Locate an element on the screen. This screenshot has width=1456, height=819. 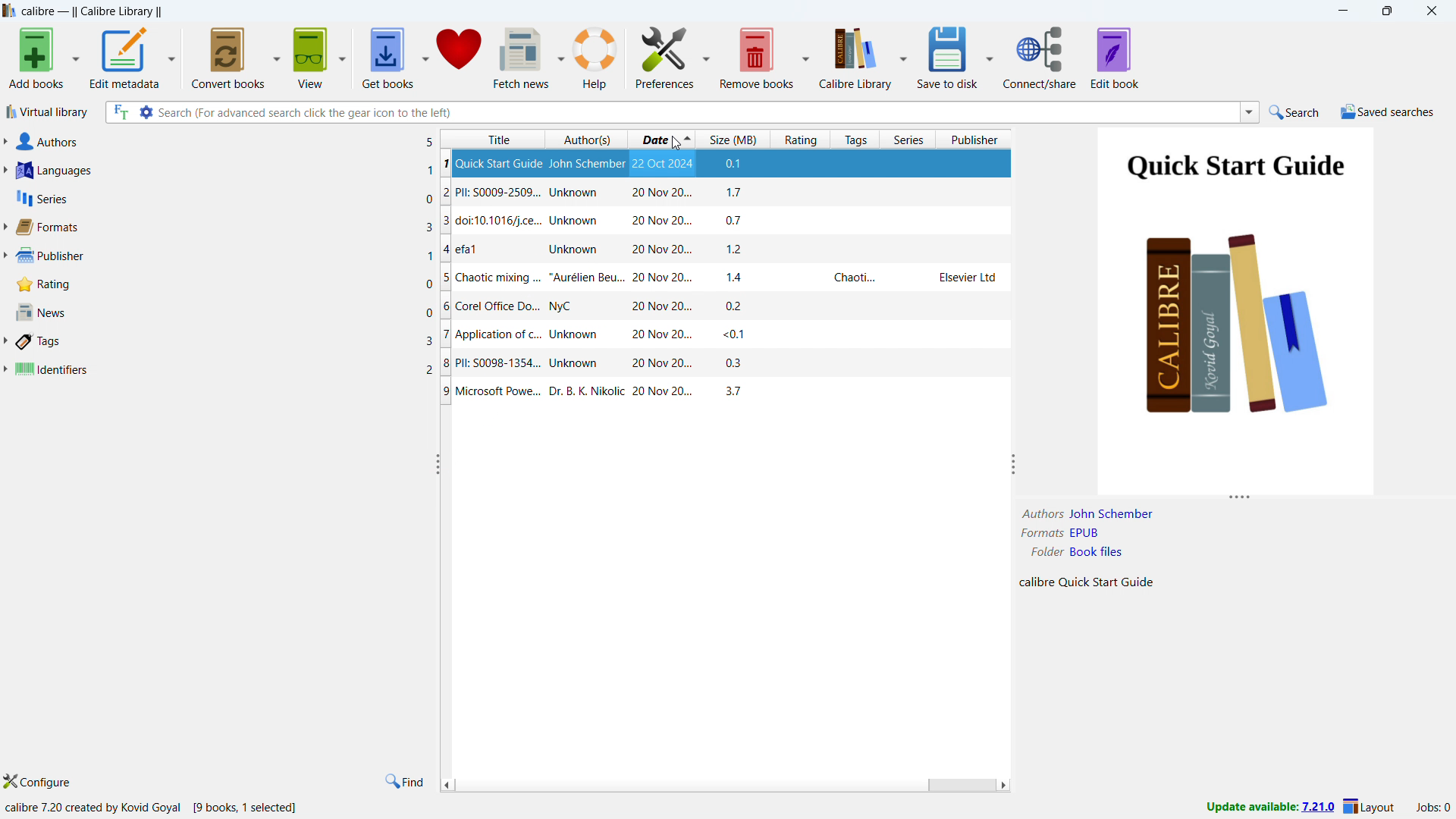
edit metadata options is located at coordinates (172, 55).